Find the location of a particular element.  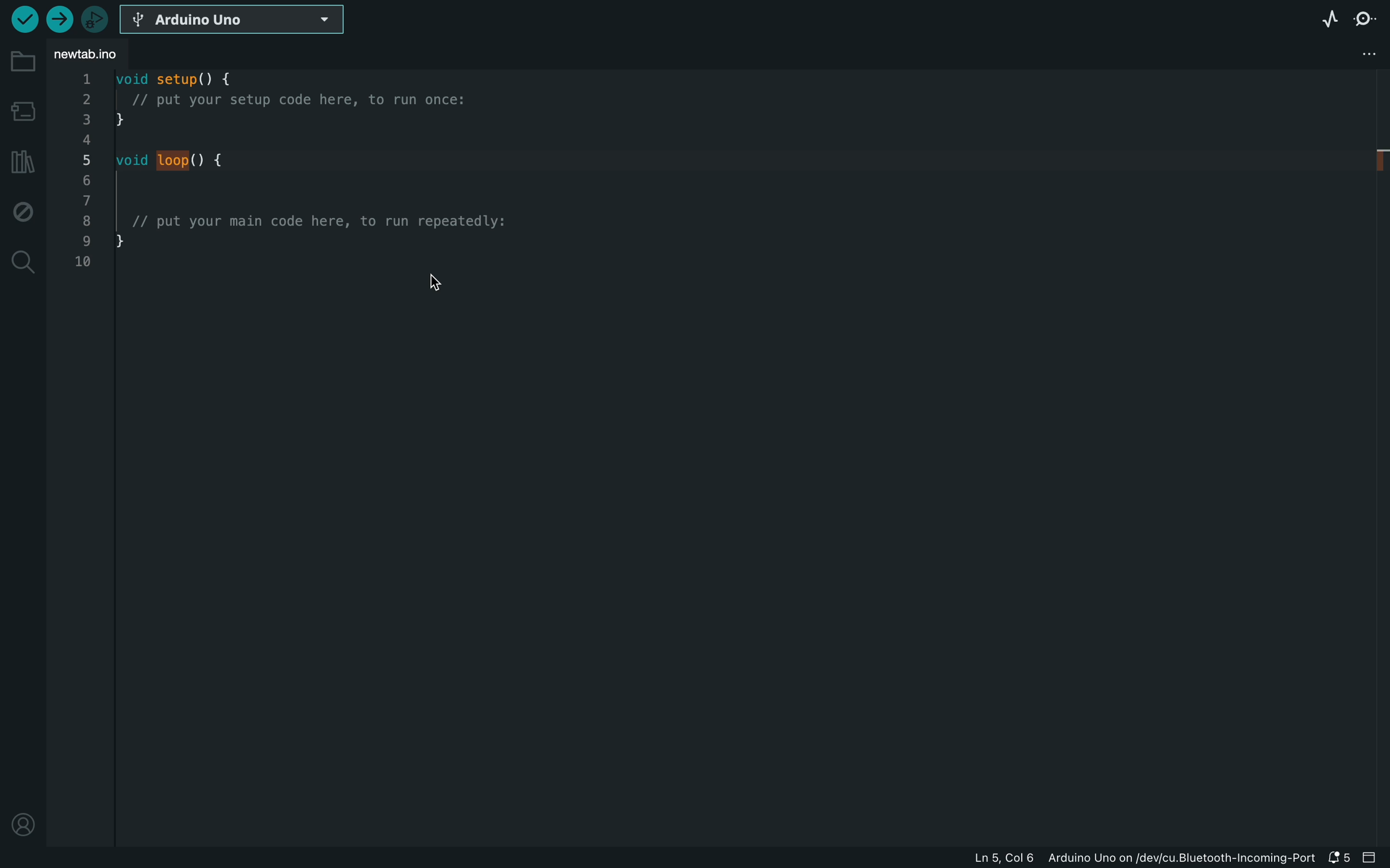

debug is located at coordinates (20, 210).